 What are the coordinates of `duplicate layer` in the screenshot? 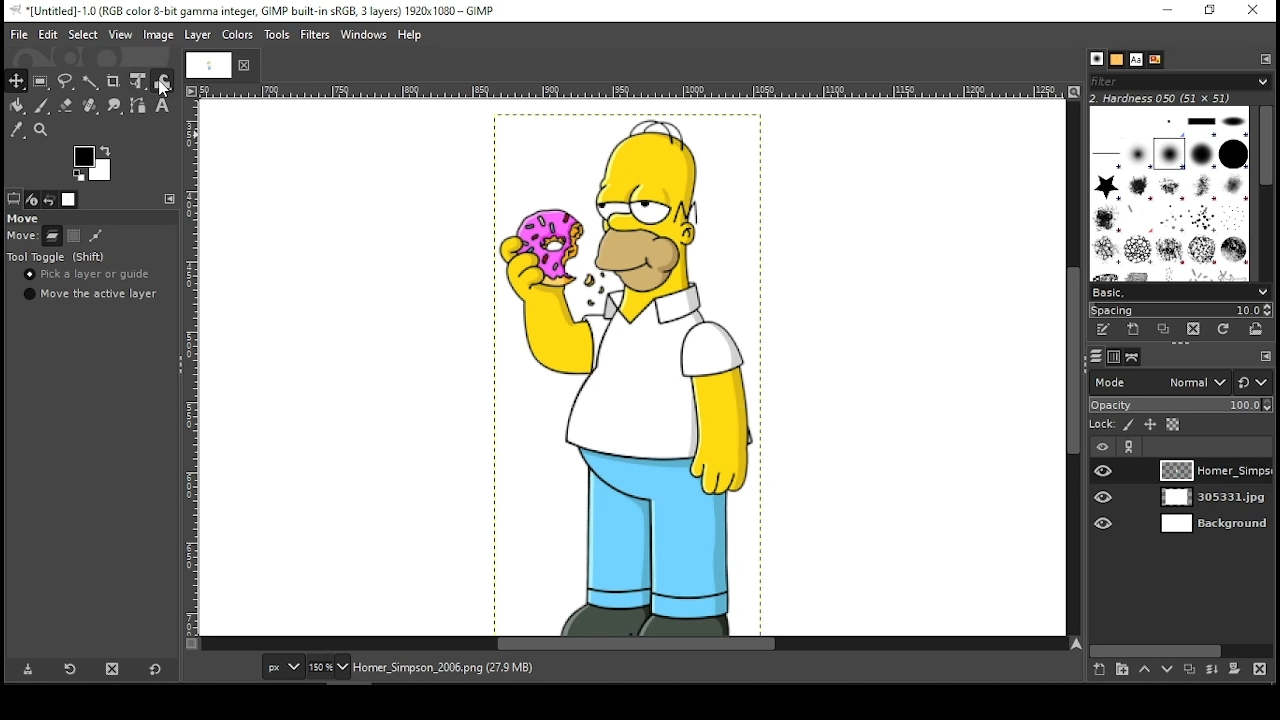 It's located at (1188, 671).